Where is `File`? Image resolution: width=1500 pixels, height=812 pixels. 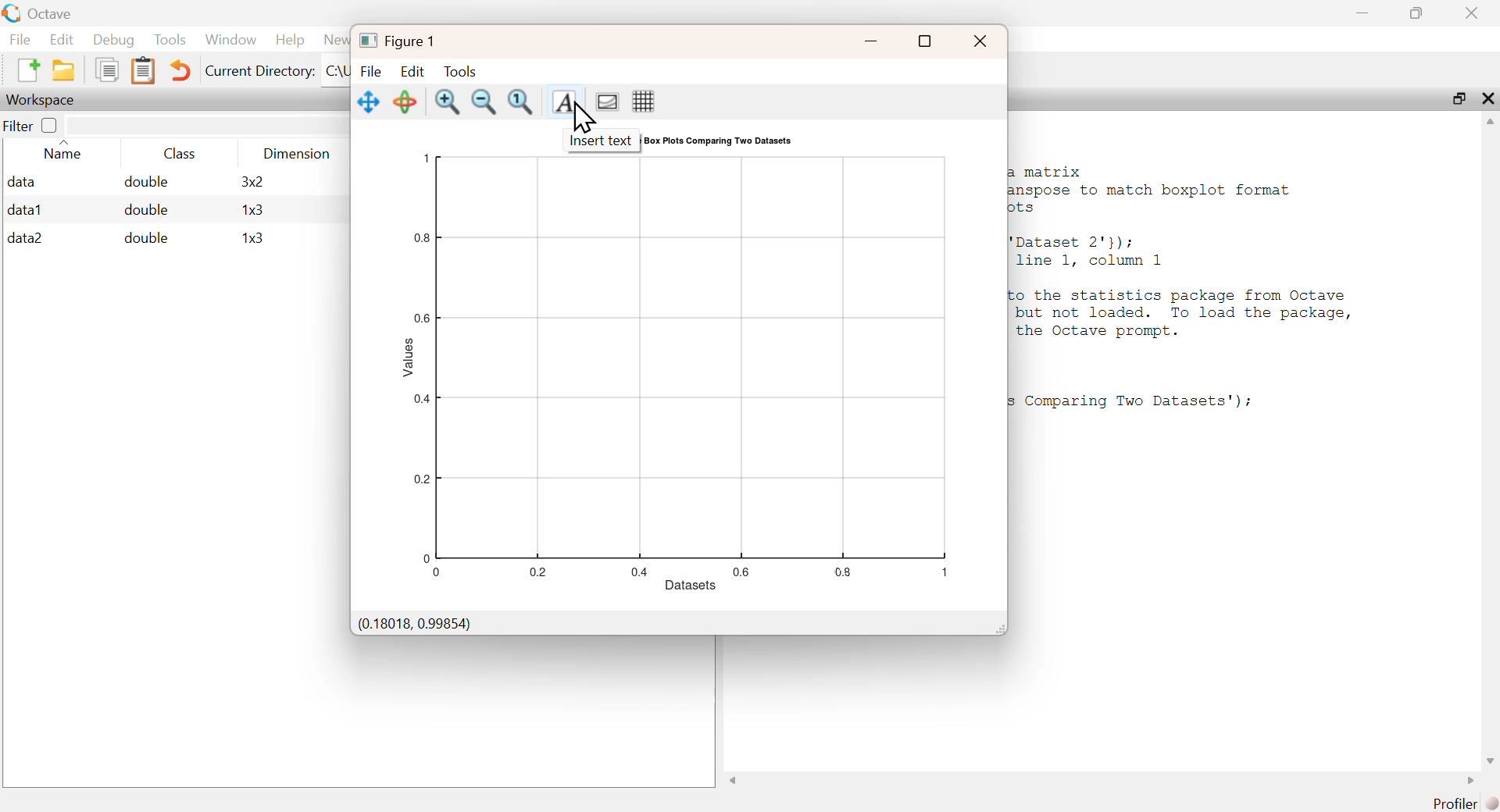
File is located at coordinates (370, 70).